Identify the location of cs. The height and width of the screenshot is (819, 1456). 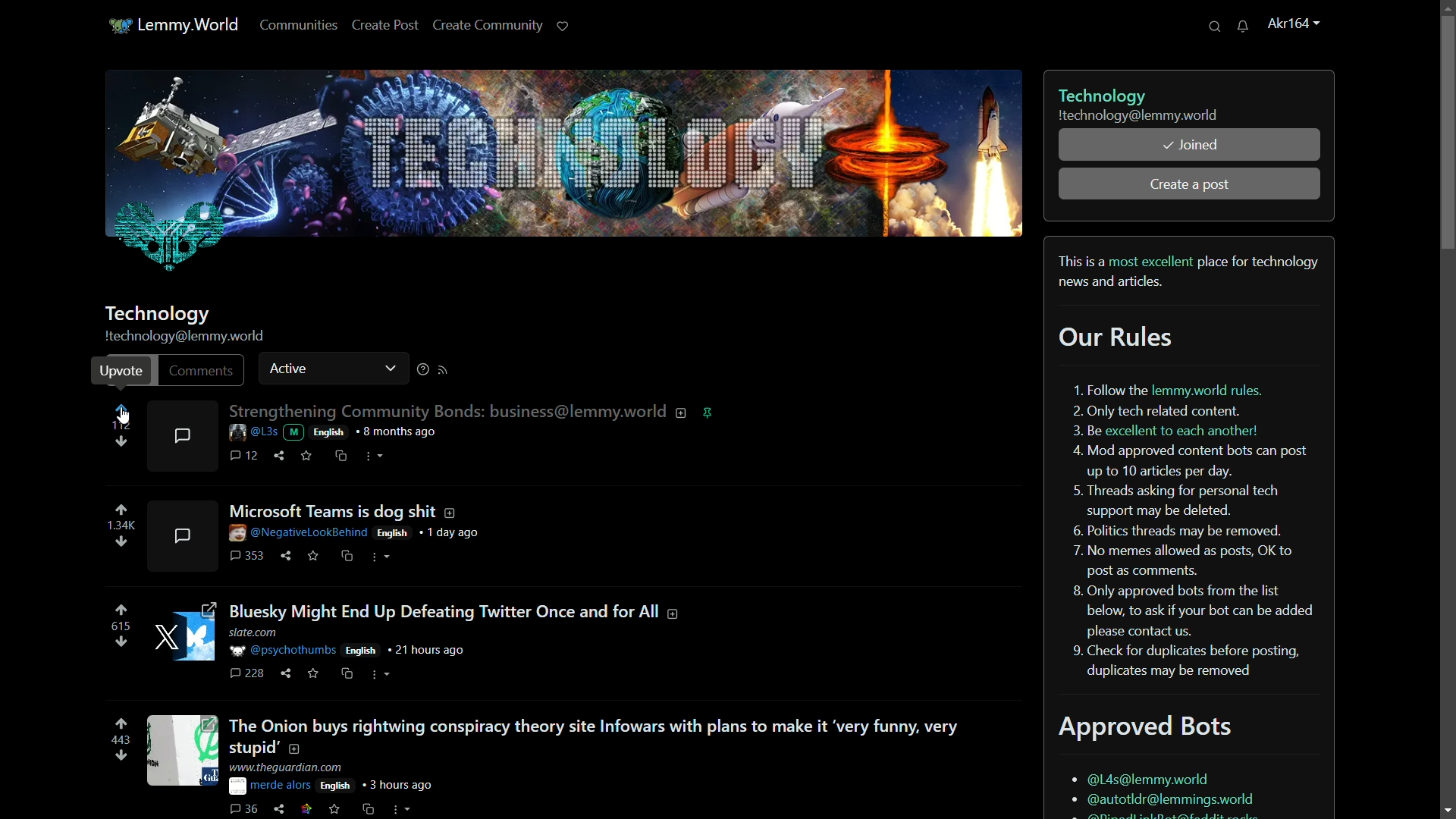
(369, 805).